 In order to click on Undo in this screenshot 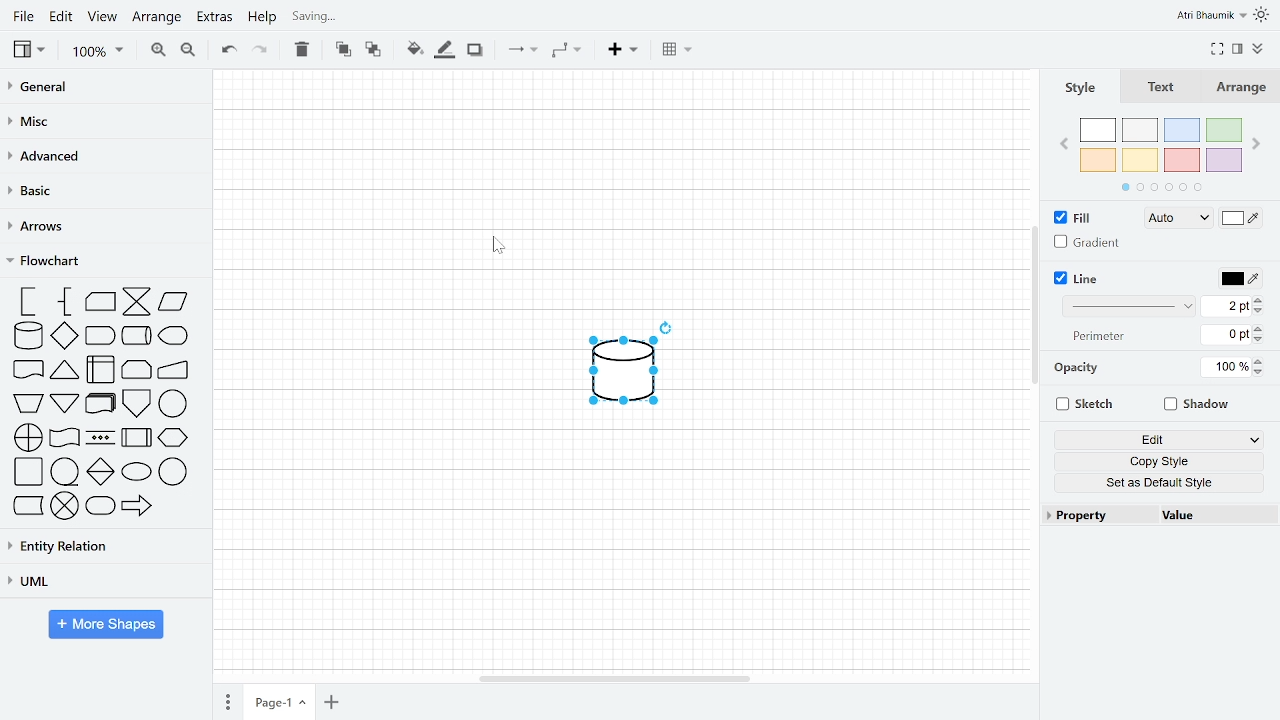, I will do `click(228, 51)`.